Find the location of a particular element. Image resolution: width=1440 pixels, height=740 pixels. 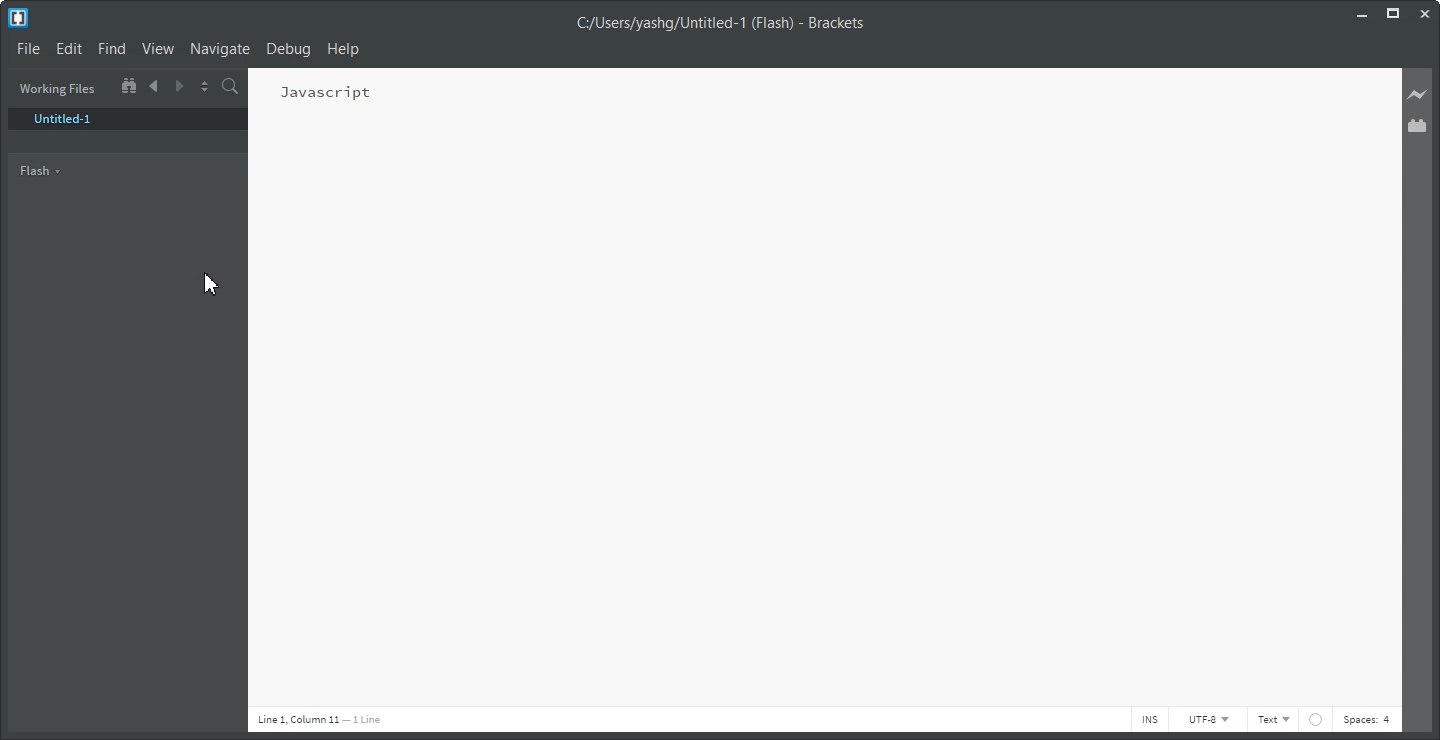

Maximize is located at coordinates (1393, 14).